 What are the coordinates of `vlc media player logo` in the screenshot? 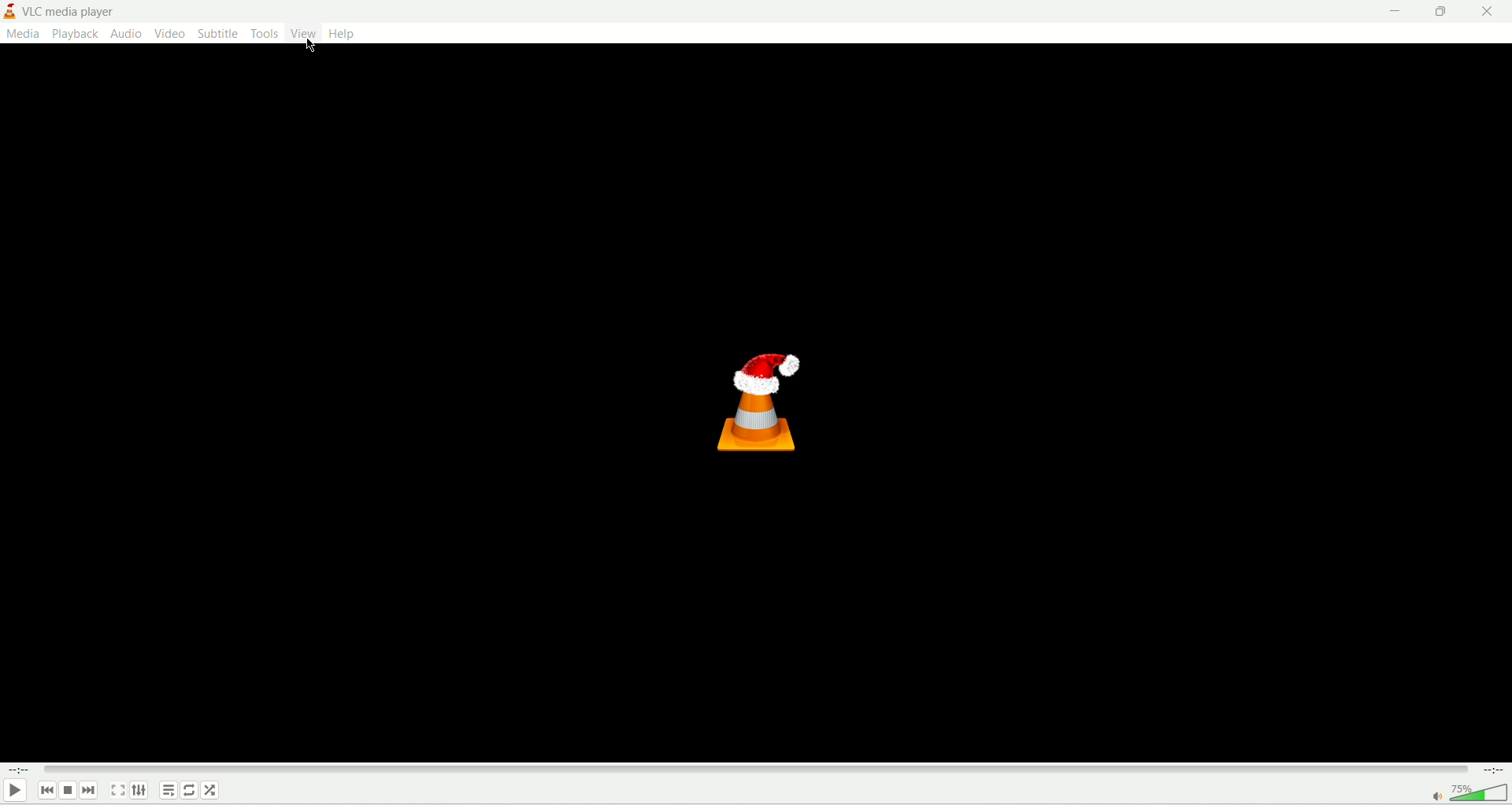 It's located at (9, 12).